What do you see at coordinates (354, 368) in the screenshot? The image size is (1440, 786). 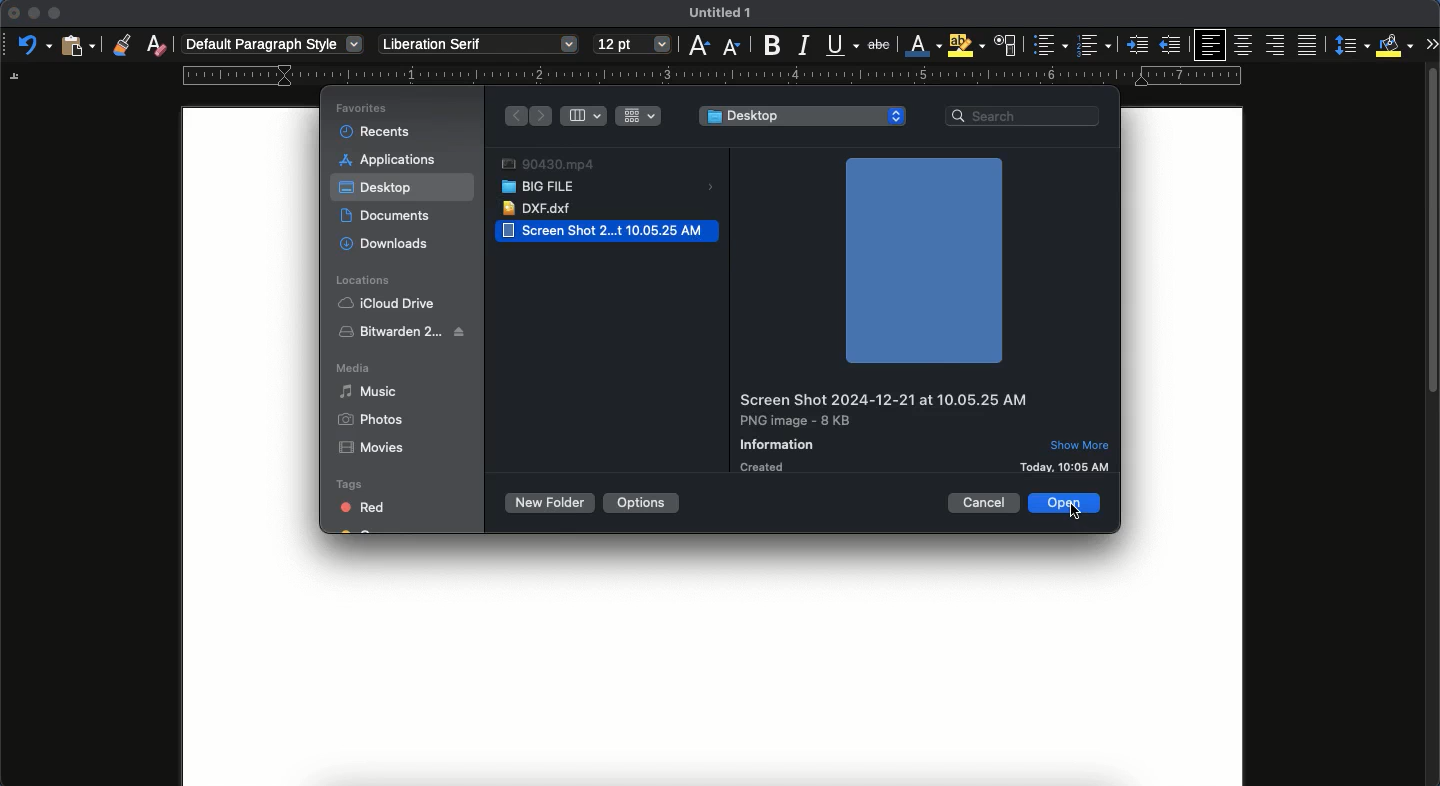 I see `media` at bounding box center [354, 368].